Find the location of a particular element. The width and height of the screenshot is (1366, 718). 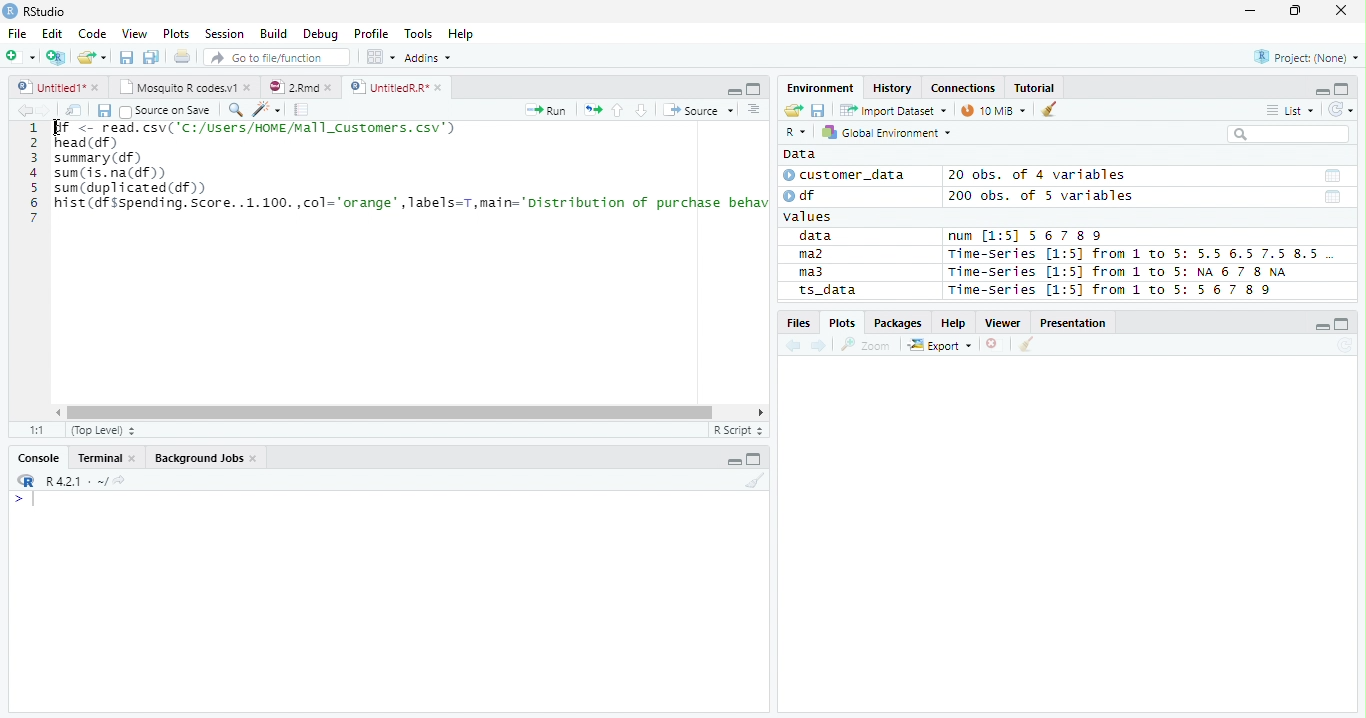

Top Level is located at coordinates (101, 431).